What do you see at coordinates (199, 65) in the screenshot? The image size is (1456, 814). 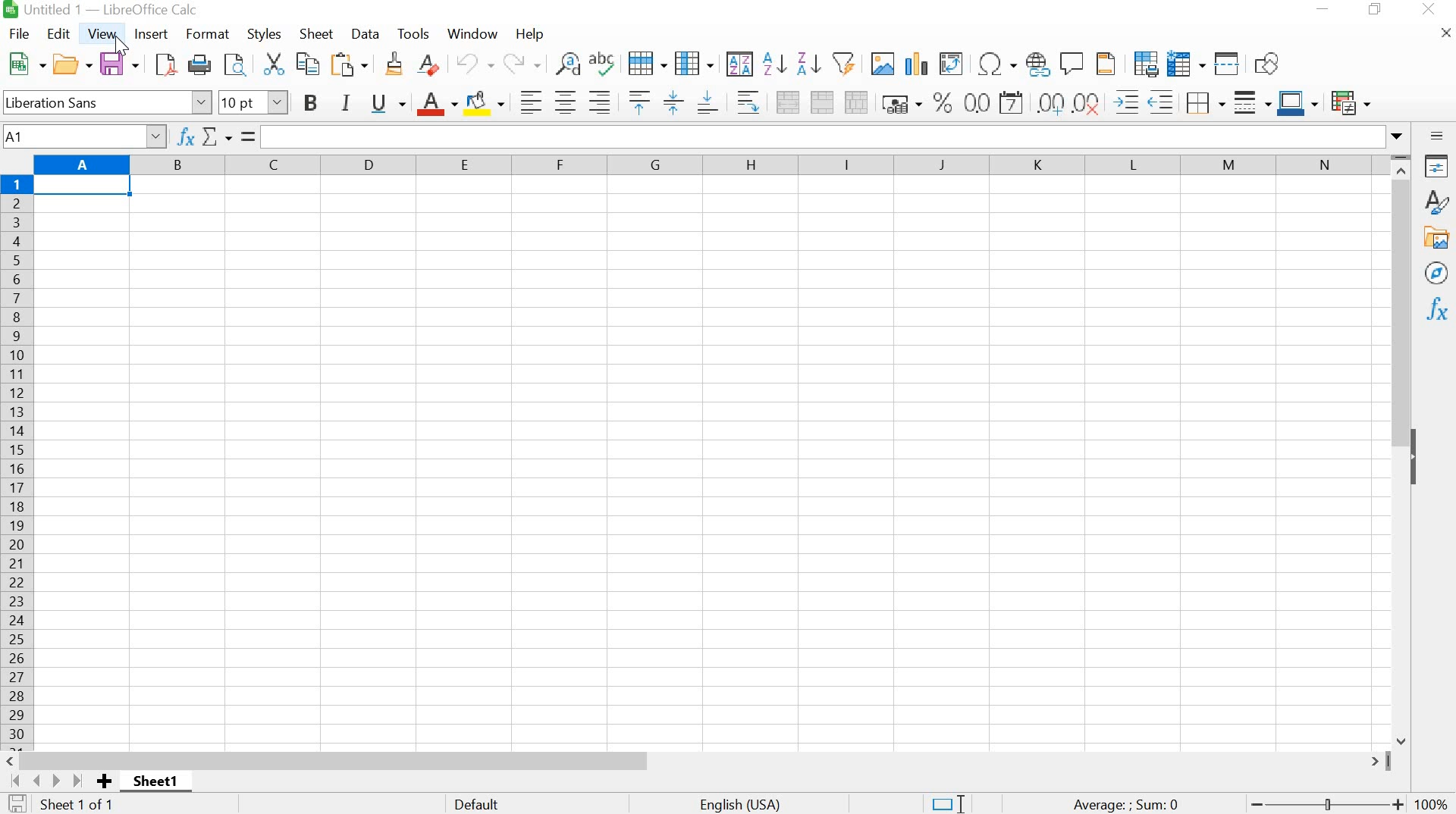 I see `PRINT` at bounding box center [199, 65].